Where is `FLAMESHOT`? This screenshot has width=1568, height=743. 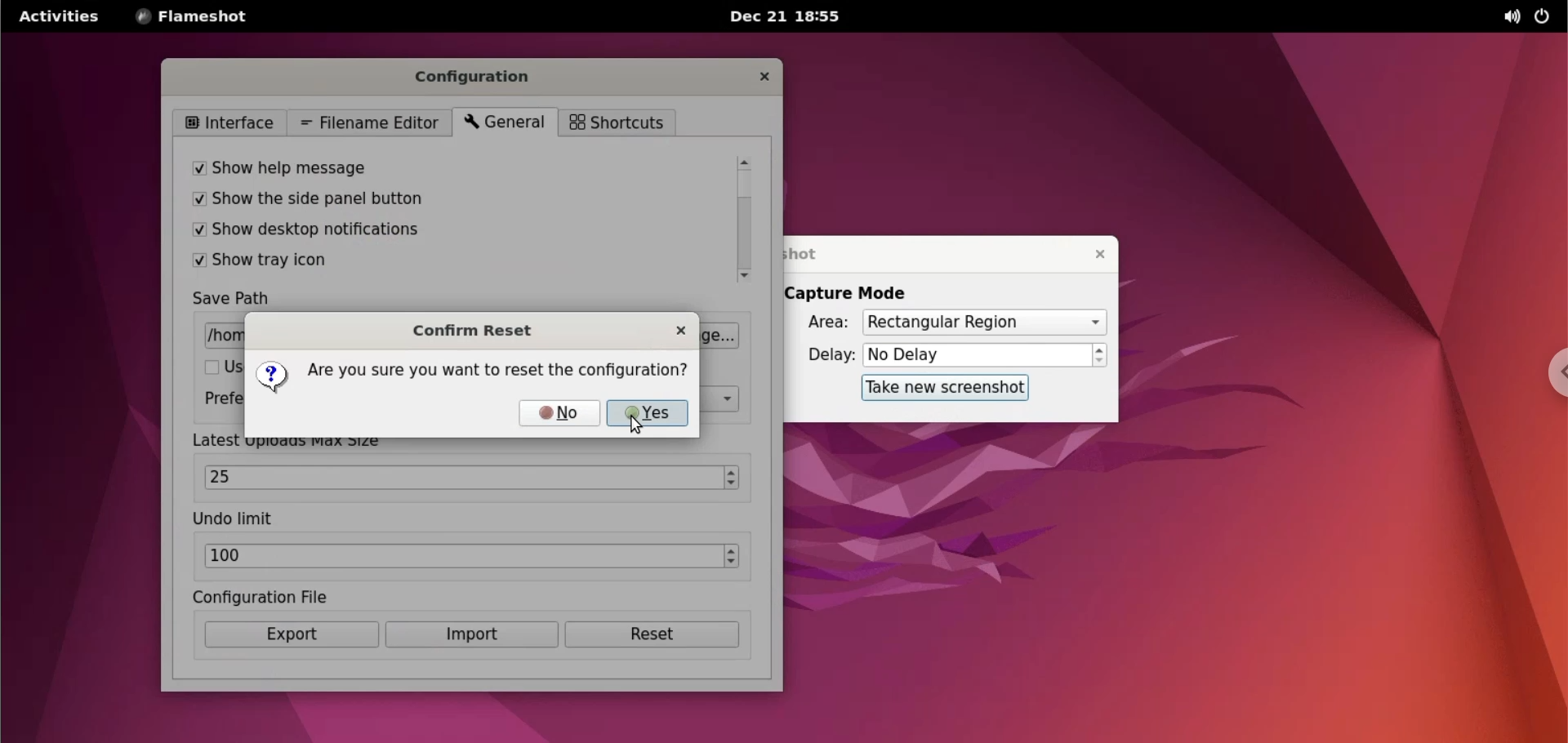
FLAMESHOT is located at coordinates (204, 18).